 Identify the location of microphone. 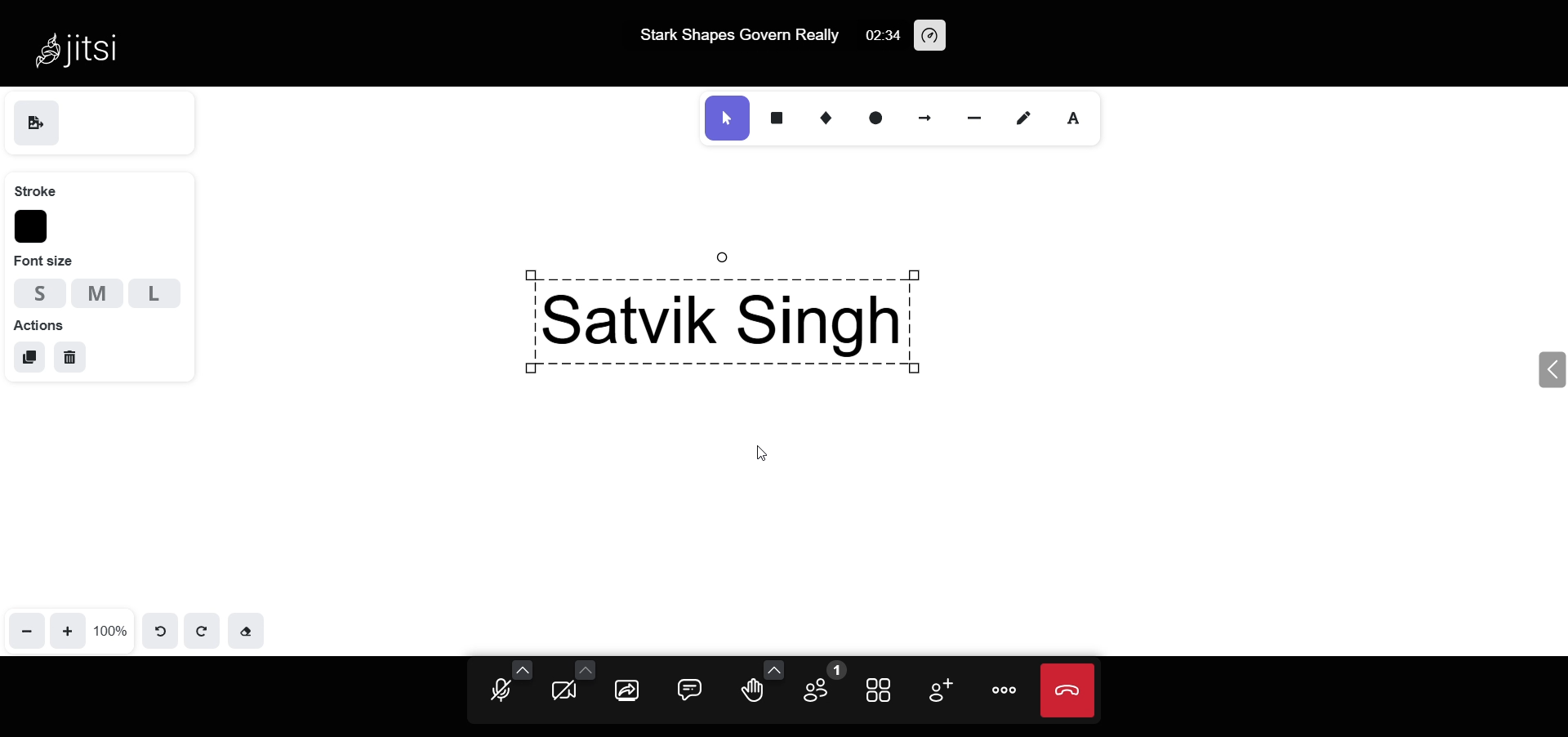
(500, 692).